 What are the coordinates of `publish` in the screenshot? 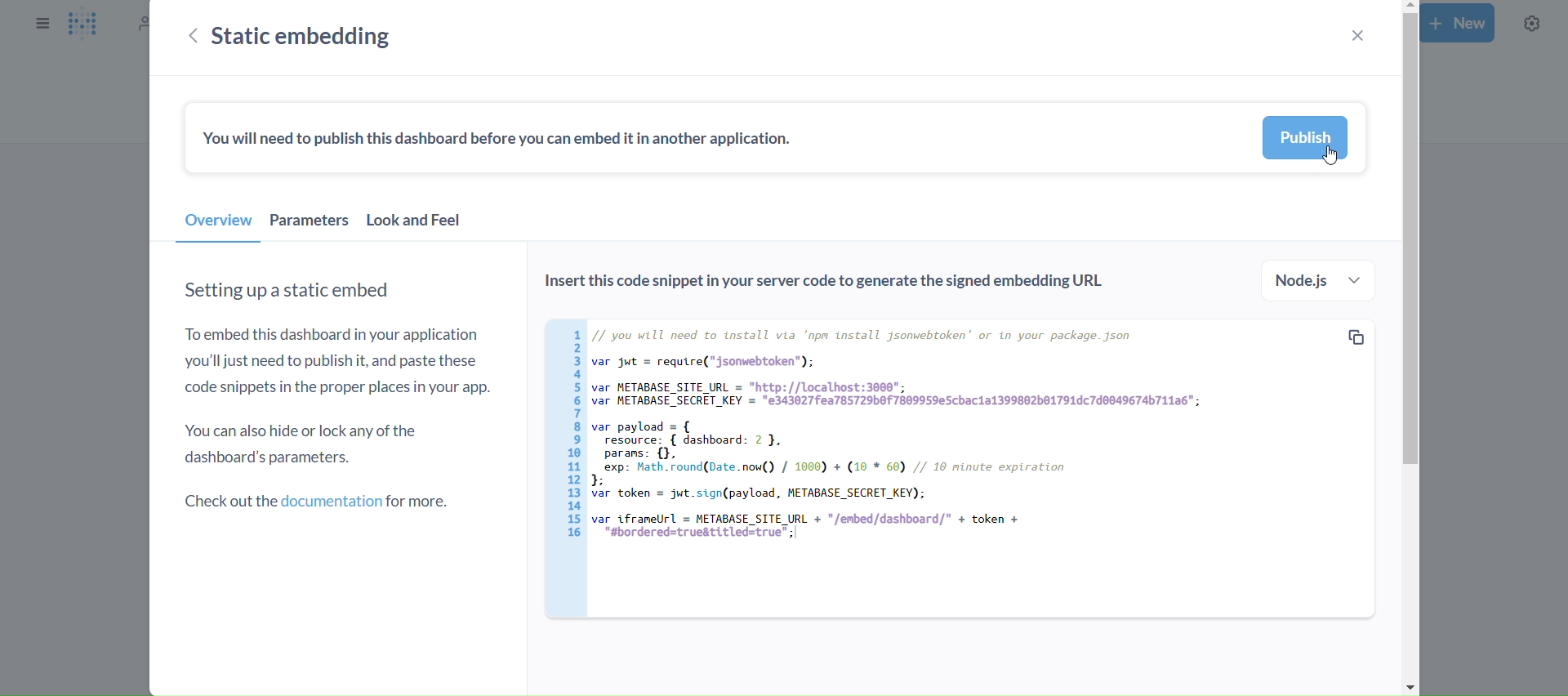 It's located at (1305, 138).